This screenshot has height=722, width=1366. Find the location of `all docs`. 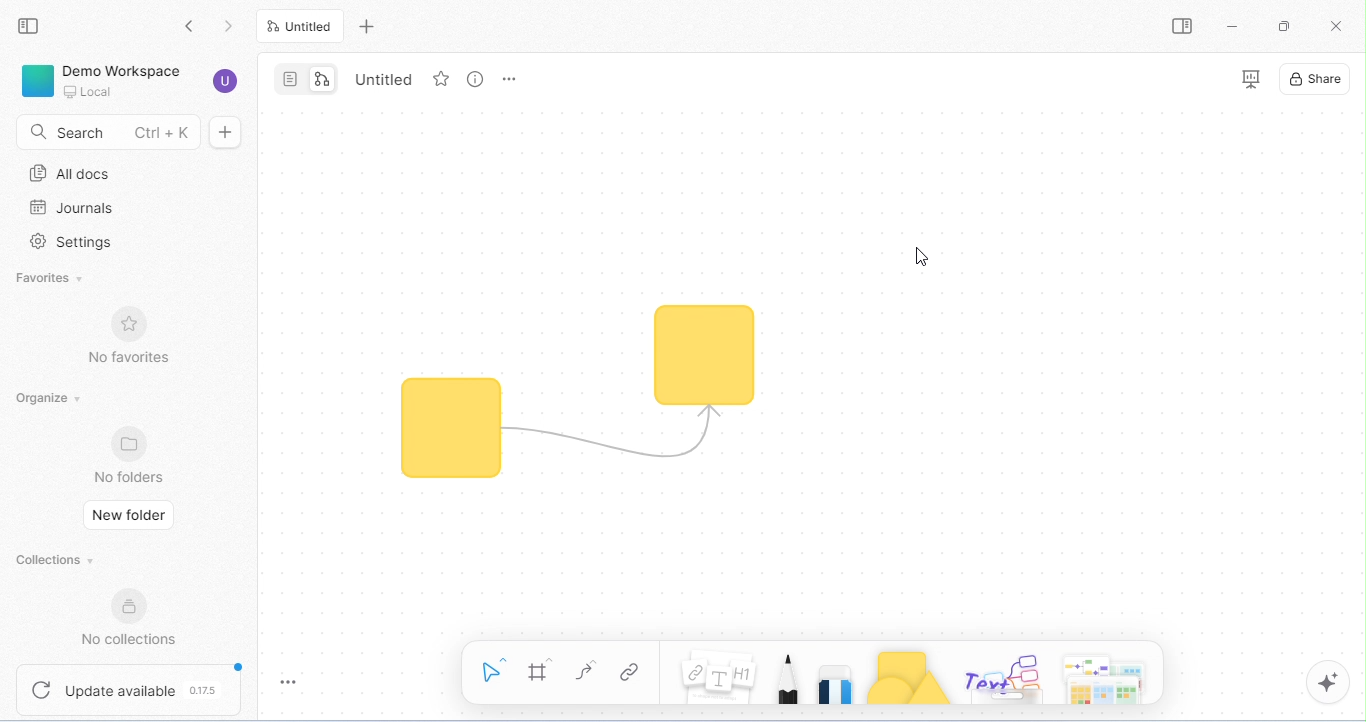

all docs is located at coordinates (72, 174).